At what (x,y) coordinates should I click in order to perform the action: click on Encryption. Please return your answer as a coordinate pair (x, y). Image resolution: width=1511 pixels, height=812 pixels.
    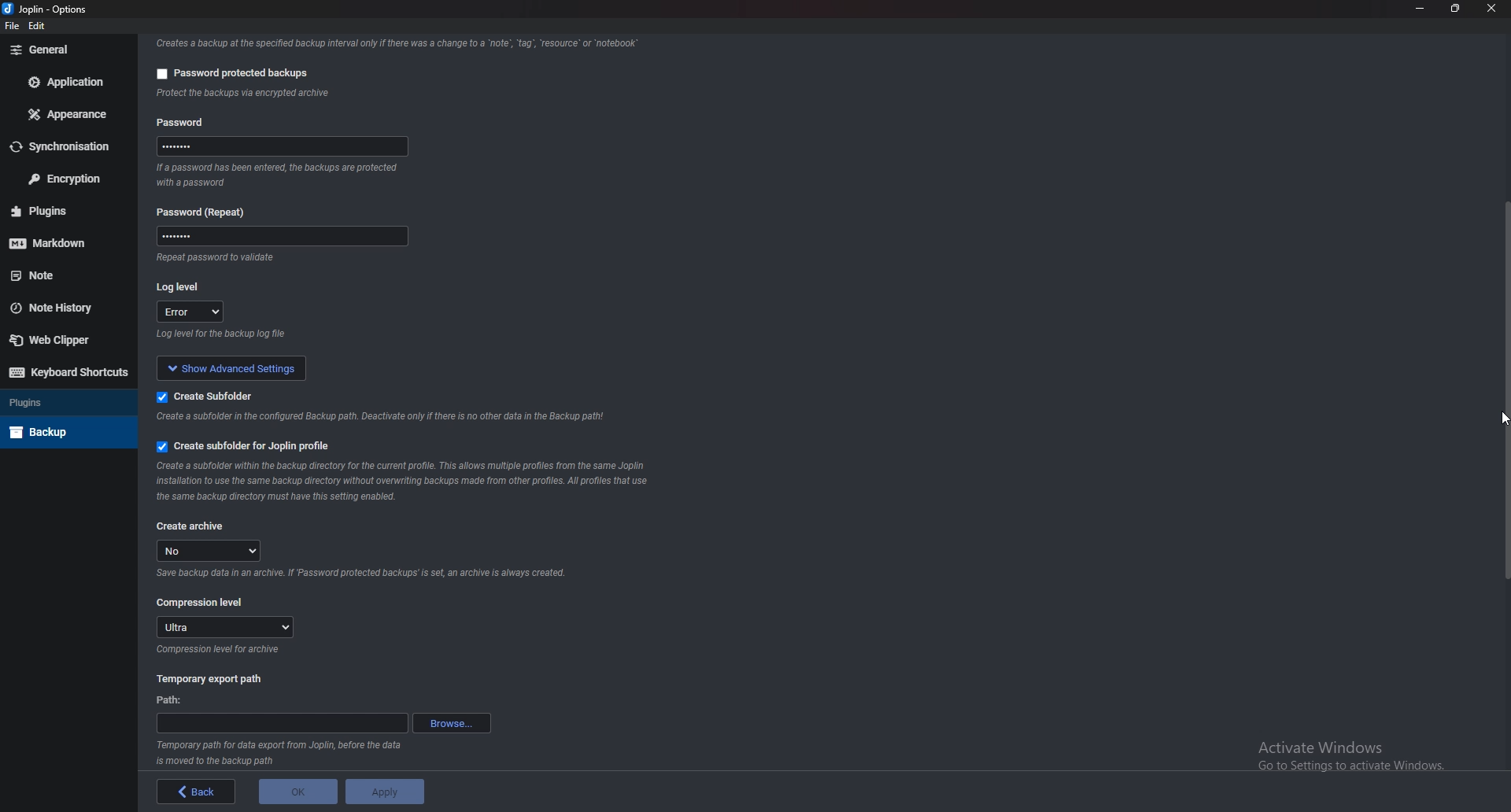
    Looking at the image, I should click on (65, 178).